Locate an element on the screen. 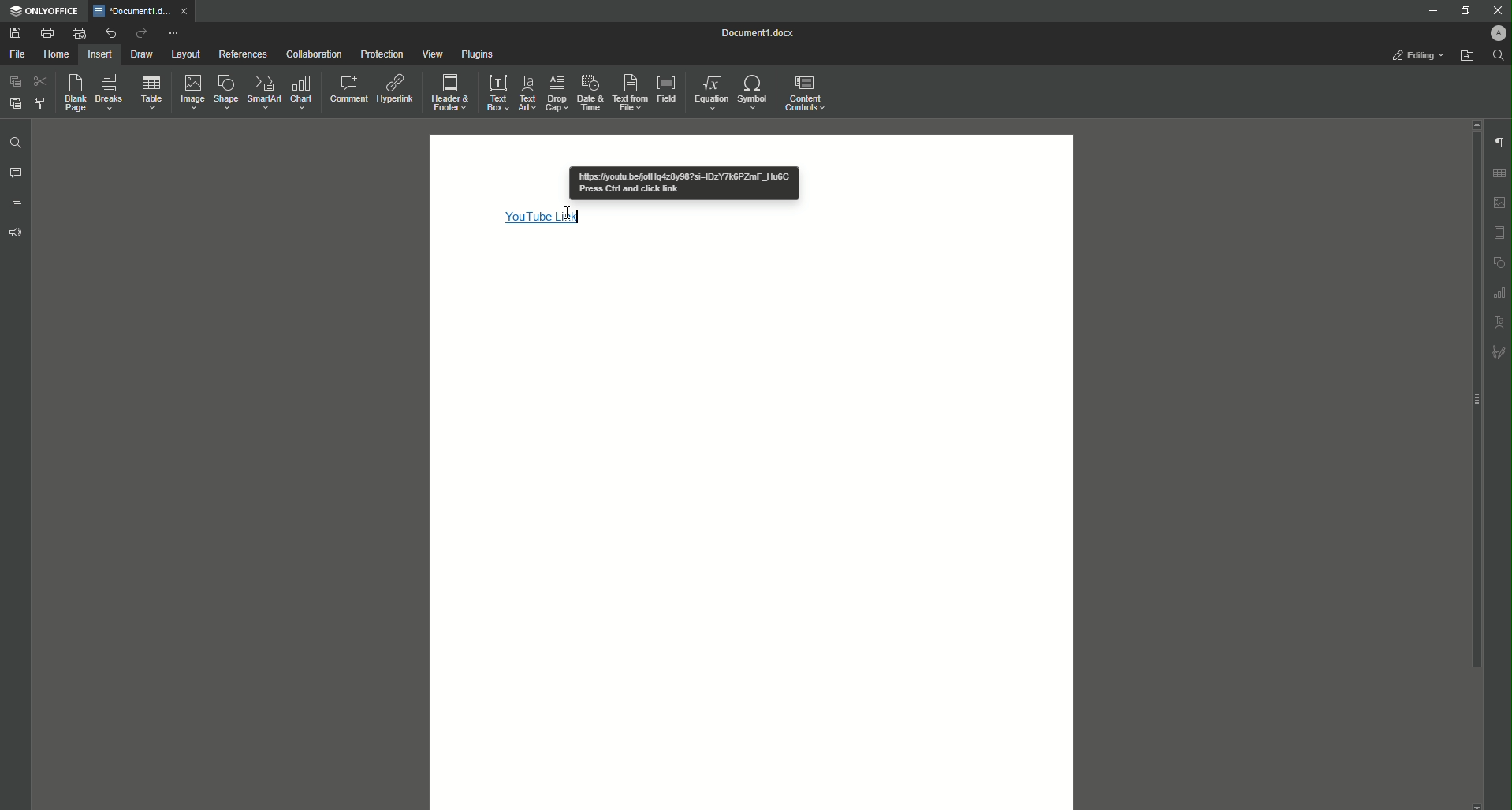  Print is located at coordinates (47, 32).